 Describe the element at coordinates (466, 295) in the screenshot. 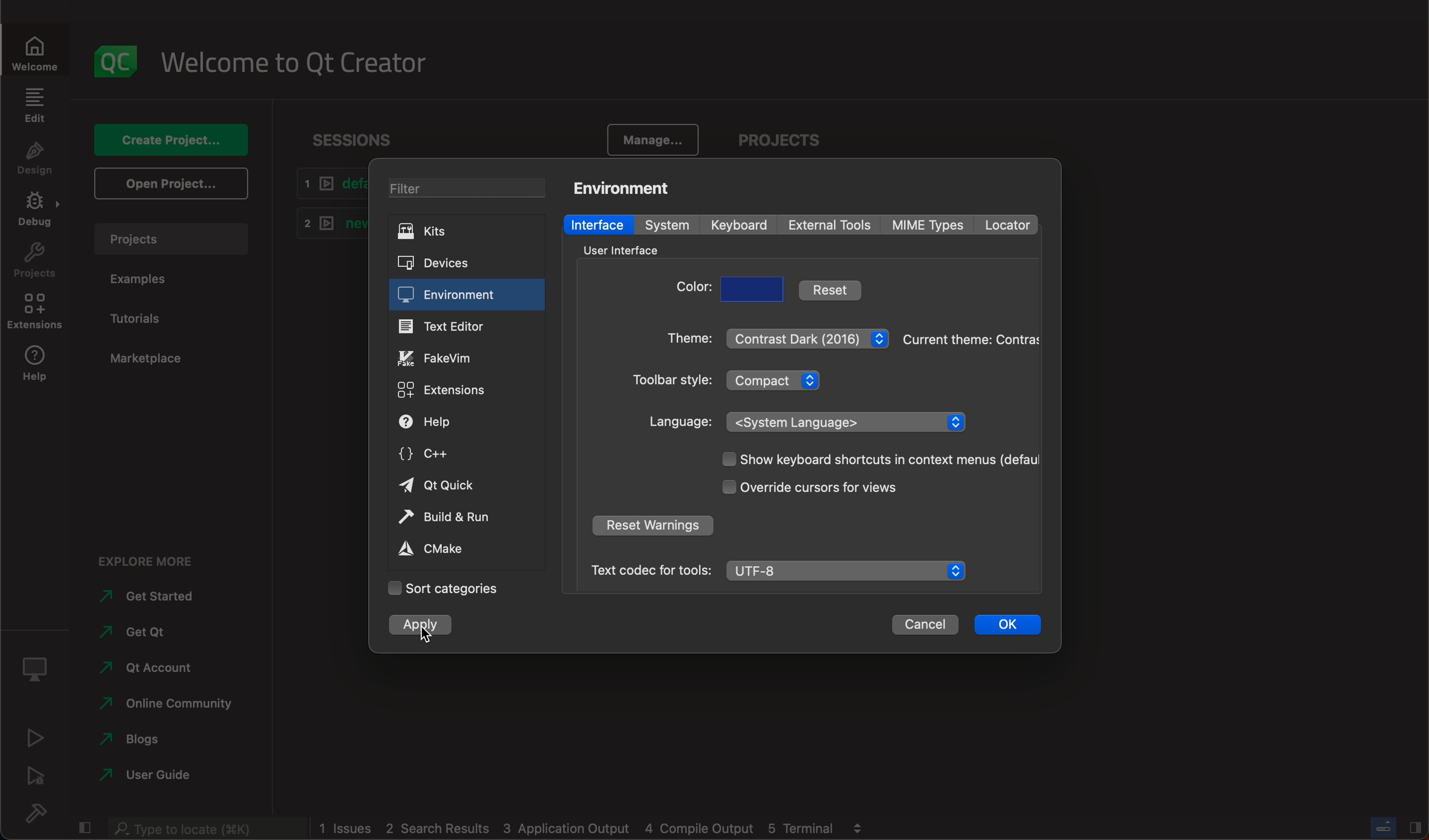

I see `environment` at that location.